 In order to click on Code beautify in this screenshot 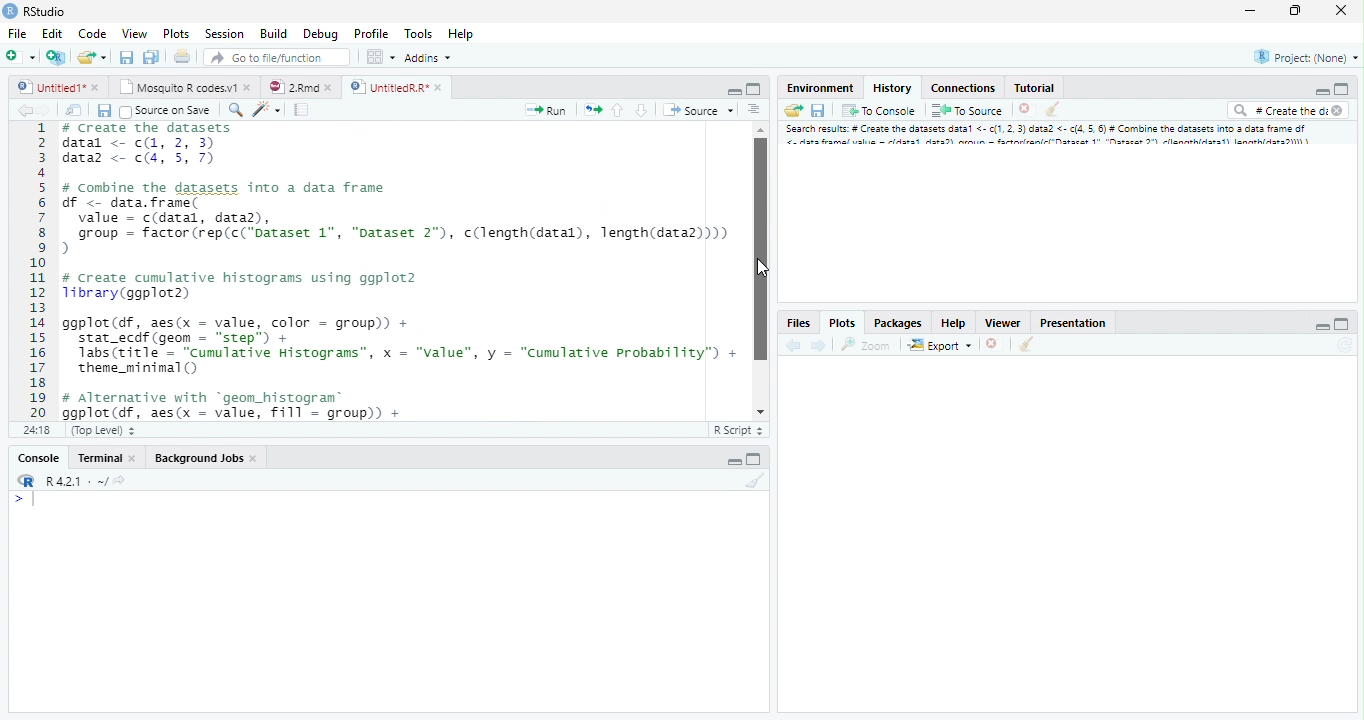, I will do `click(269, 110)`.